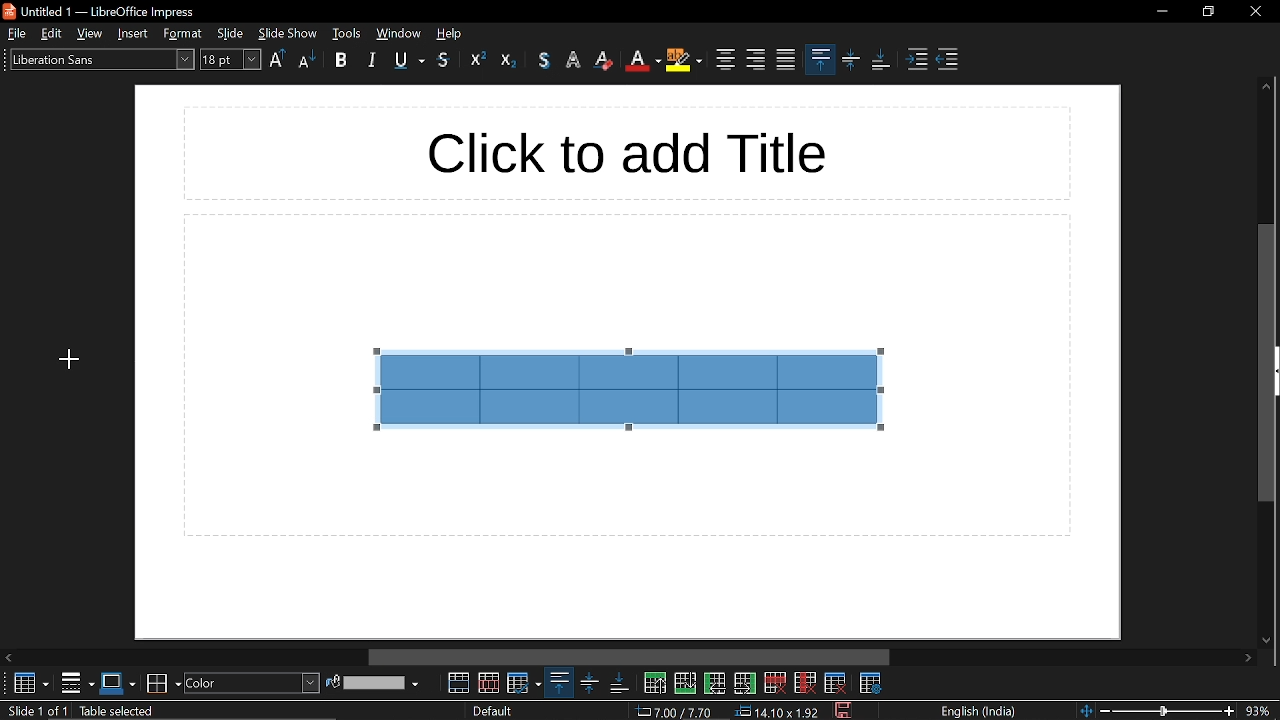 This screenshot has width=1280, height=720. Describe the element at coordinates (494, 711) in the screenshot. I see `slide style` at that location.